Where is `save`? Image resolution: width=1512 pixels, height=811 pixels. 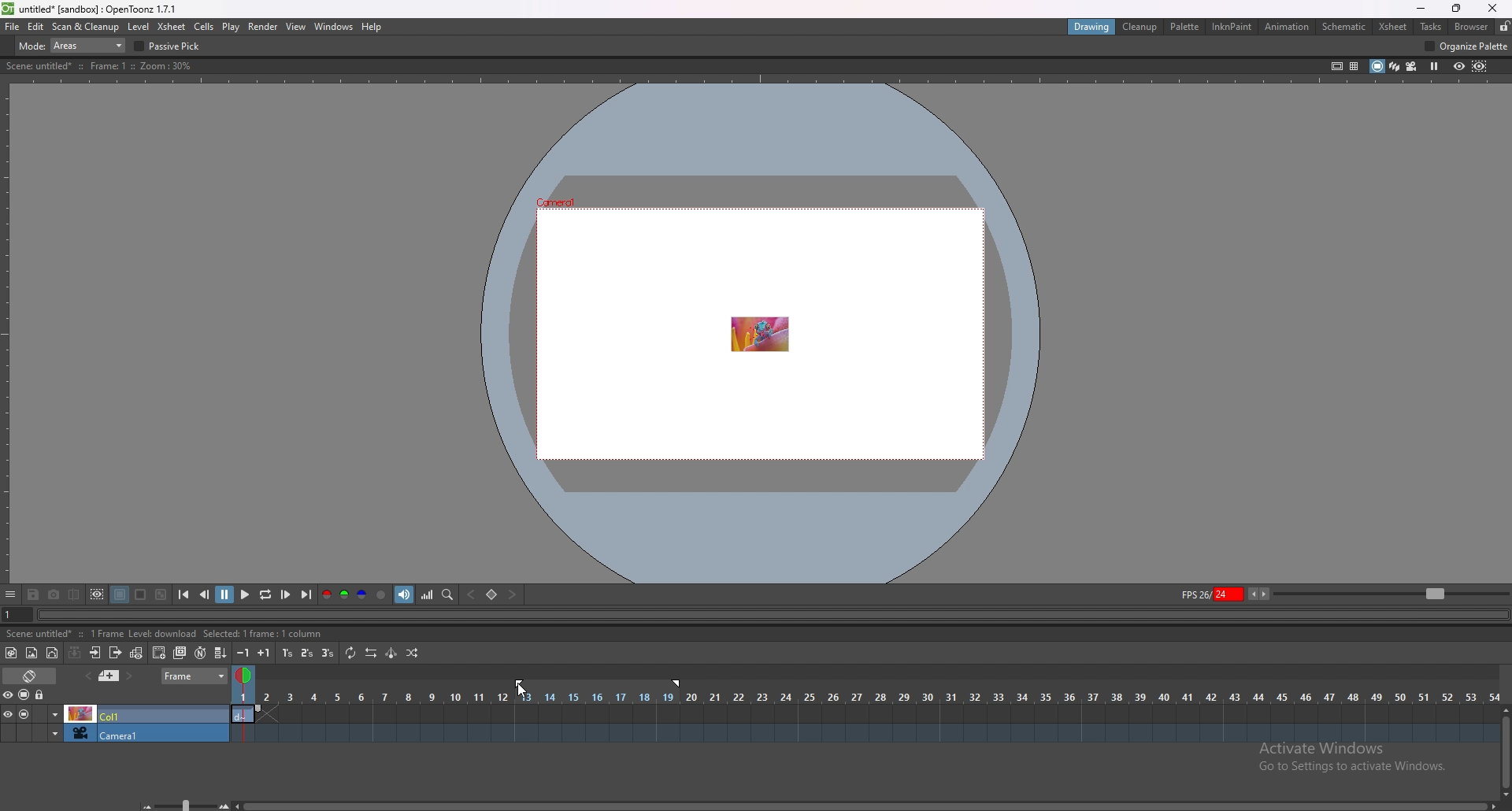
save is located at coordinates (33, 595).